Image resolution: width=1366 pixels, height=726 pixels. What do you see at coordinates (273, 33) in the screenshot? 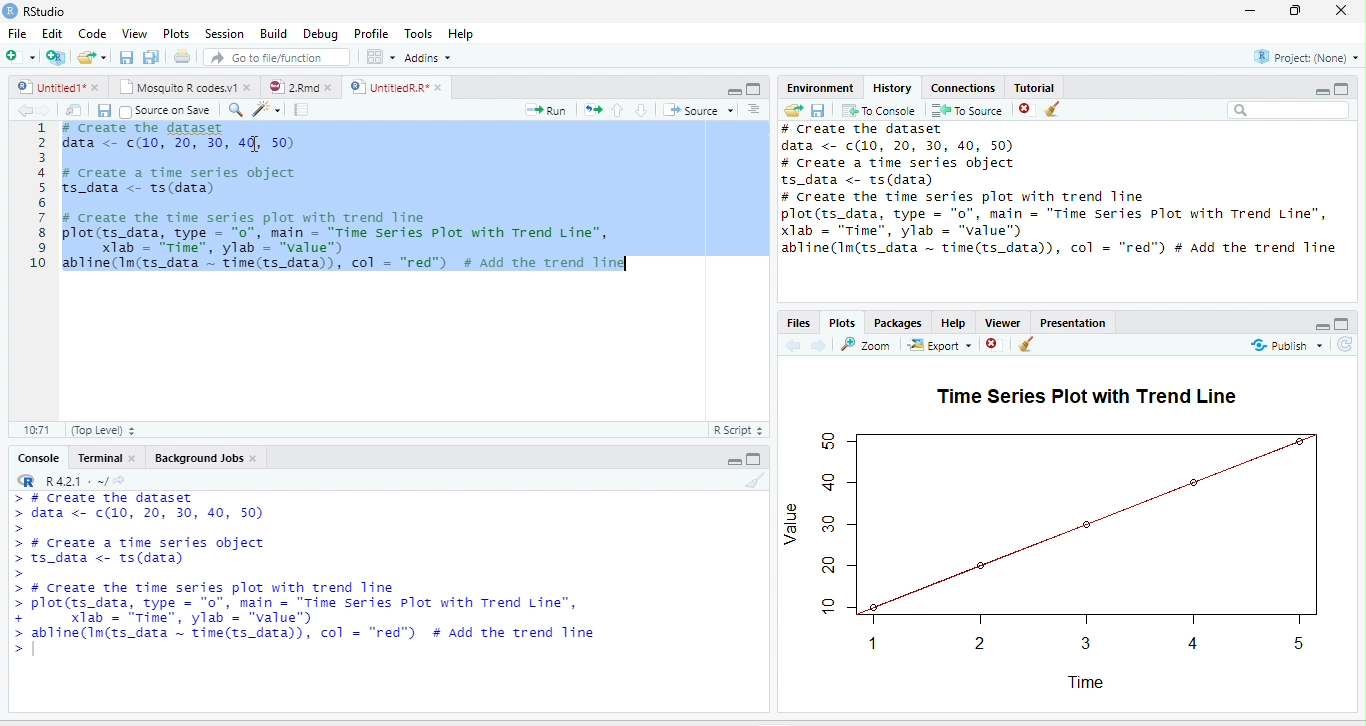
I see `Build` at bounding box center [273, 33].